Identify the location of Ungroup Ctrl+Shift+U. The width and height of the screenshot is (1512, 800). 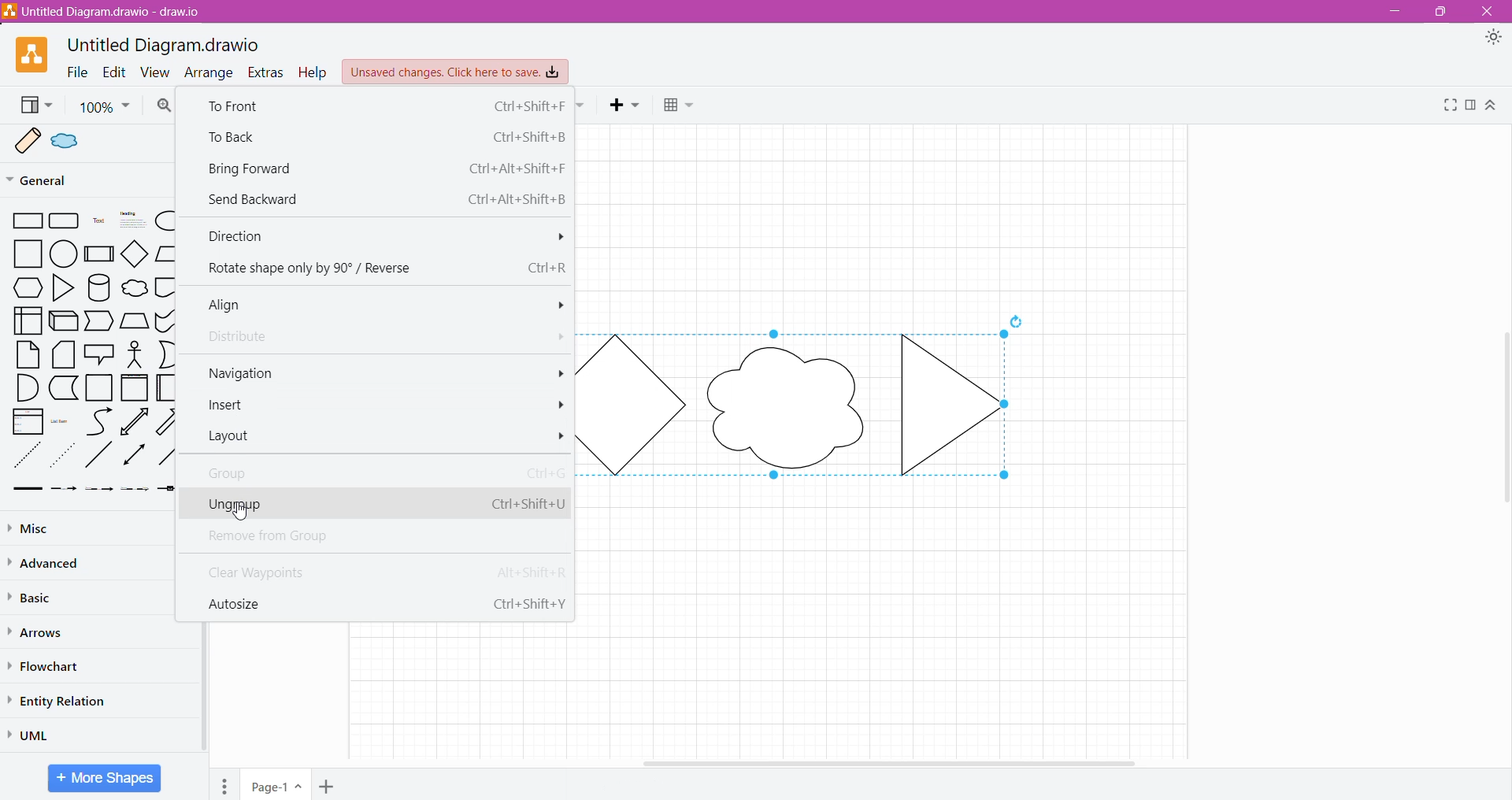
(387, 506).